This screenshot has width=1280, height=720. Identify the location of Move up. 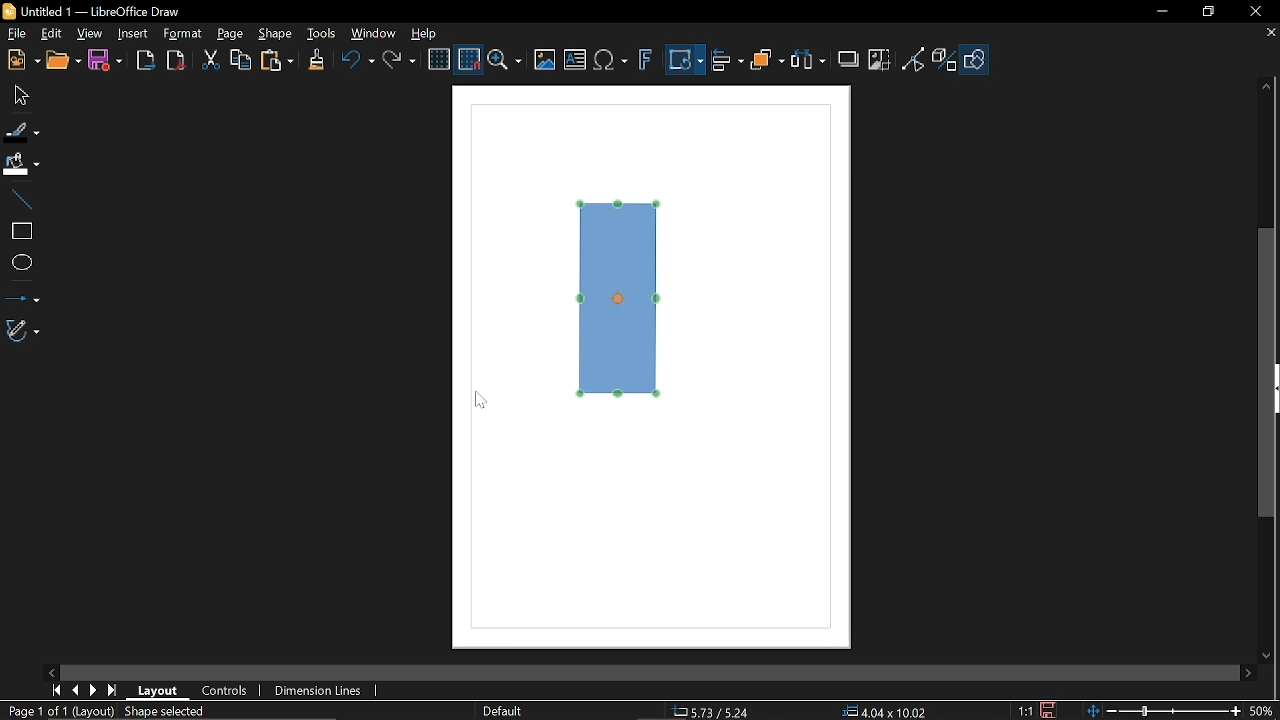
(1269, 87).